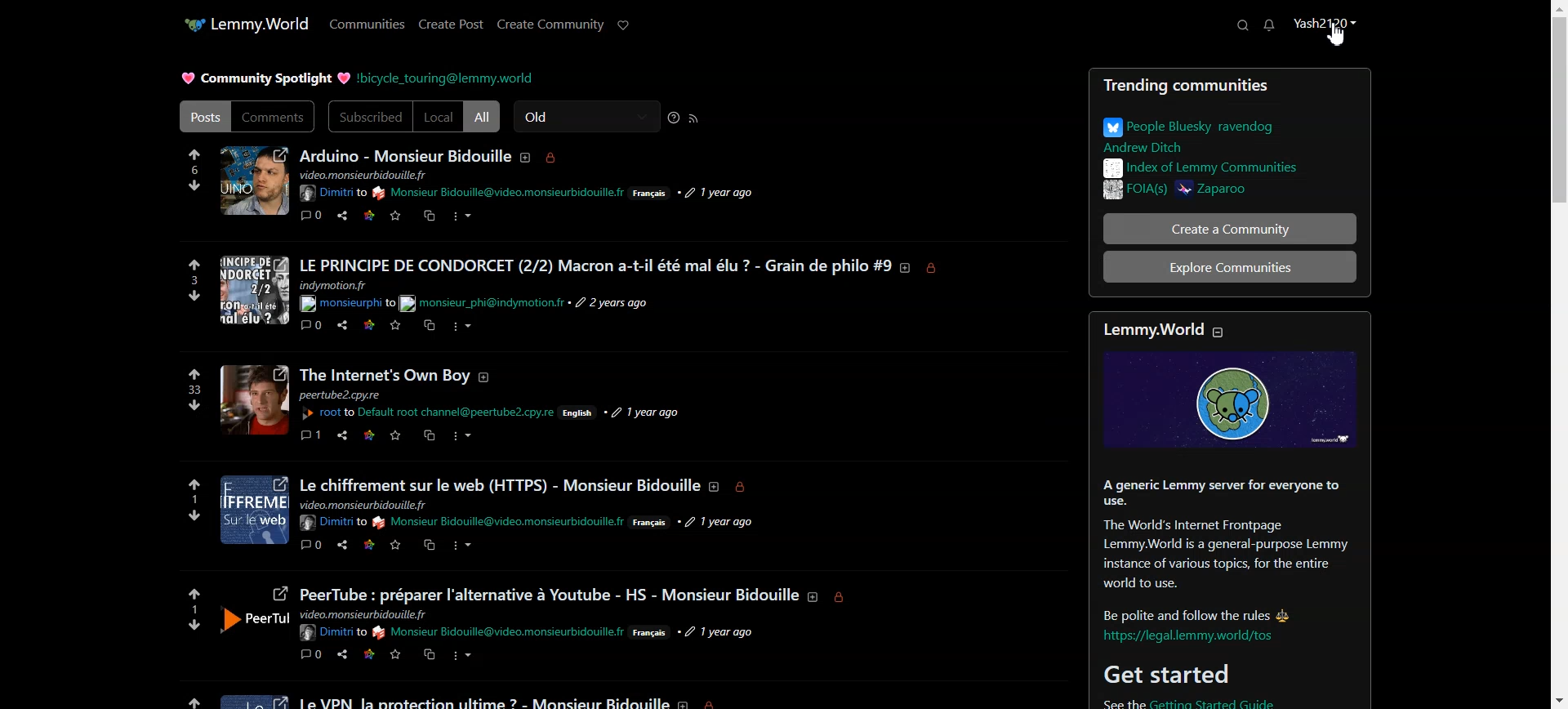  Describe the element at coordinates (253, 181) in the screenshot. I see `Profile Pic` at that location.